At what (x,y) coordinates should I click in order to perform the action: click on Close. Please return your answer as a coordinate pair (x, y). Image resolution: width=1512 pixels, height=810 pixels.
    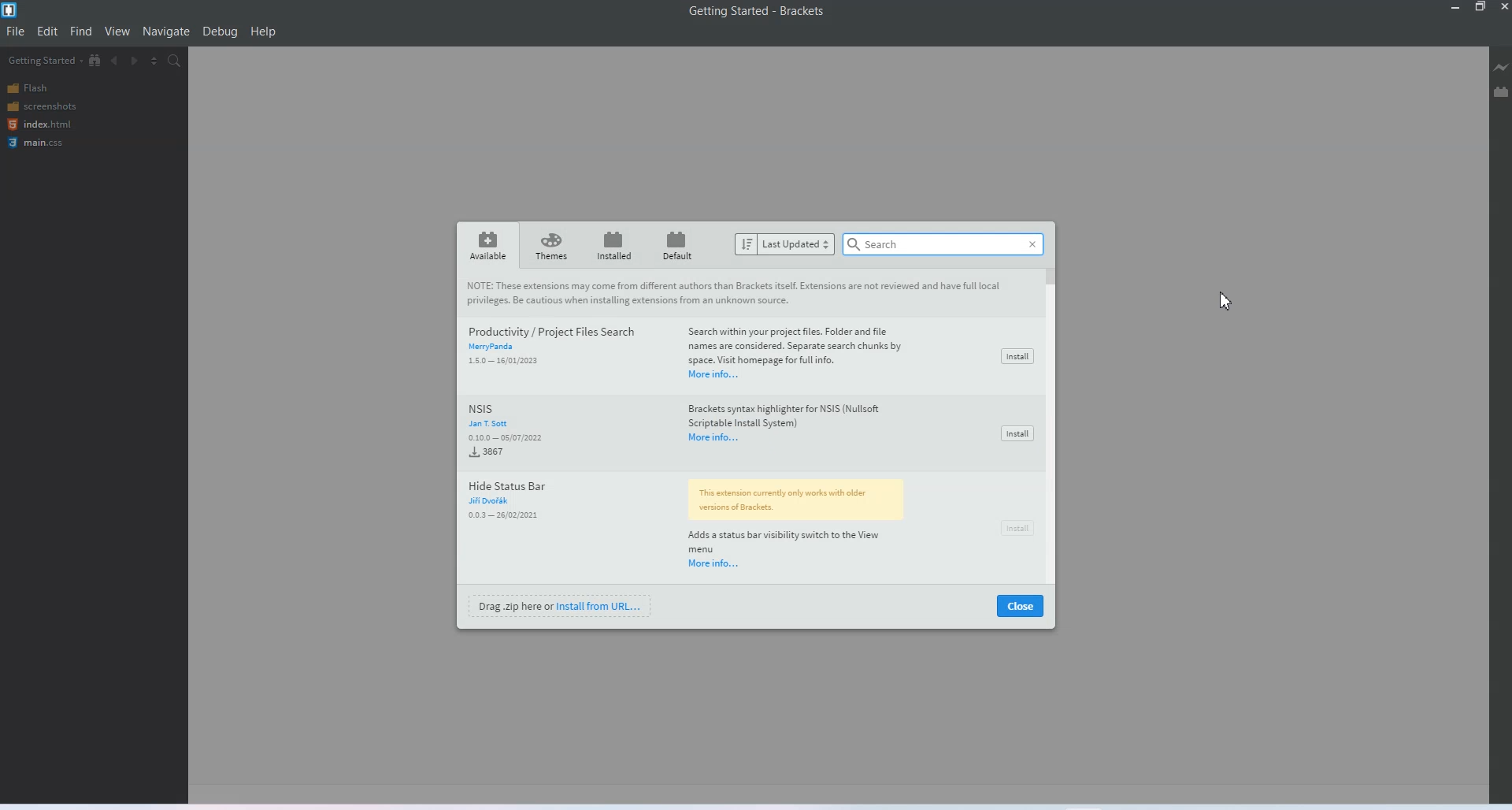
    Looking at the image, I should click on (1029, 244).